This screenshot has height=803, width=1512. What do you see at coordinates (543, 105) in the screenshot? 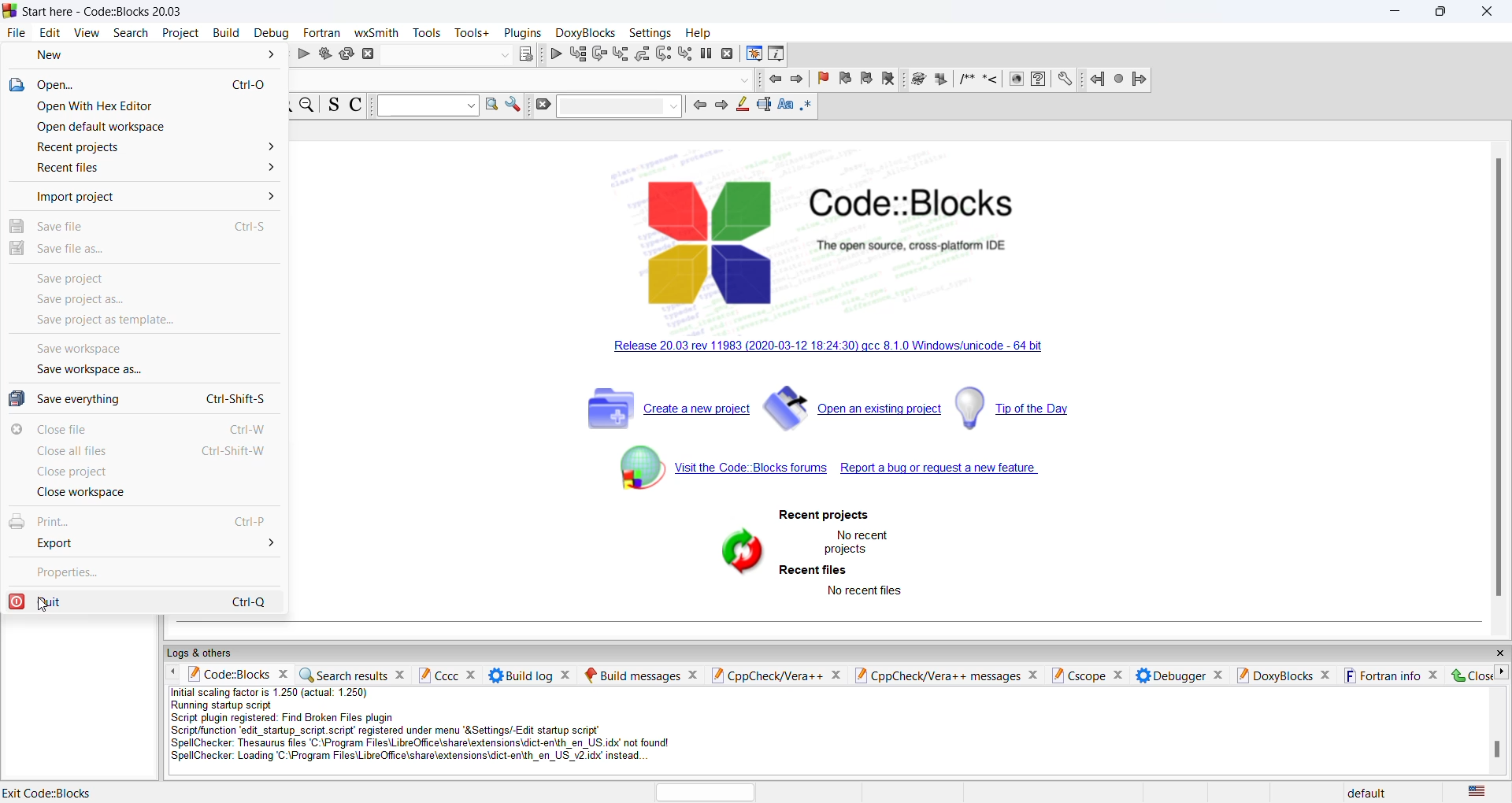
I see `clear` at bounding box center [543, 105].